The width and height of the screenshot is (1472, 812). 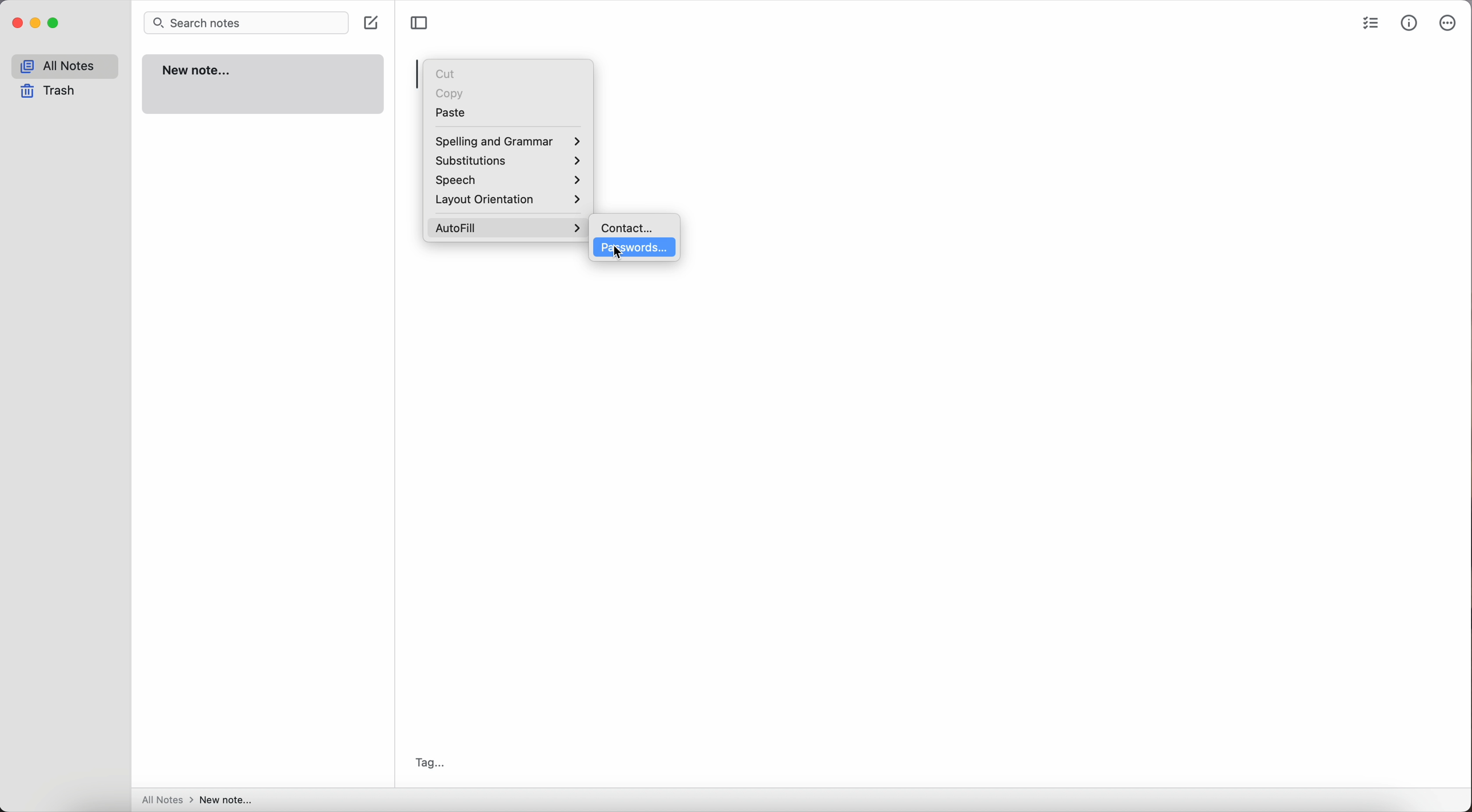 I want to click on click on autofill, so click(x=510, y=227).